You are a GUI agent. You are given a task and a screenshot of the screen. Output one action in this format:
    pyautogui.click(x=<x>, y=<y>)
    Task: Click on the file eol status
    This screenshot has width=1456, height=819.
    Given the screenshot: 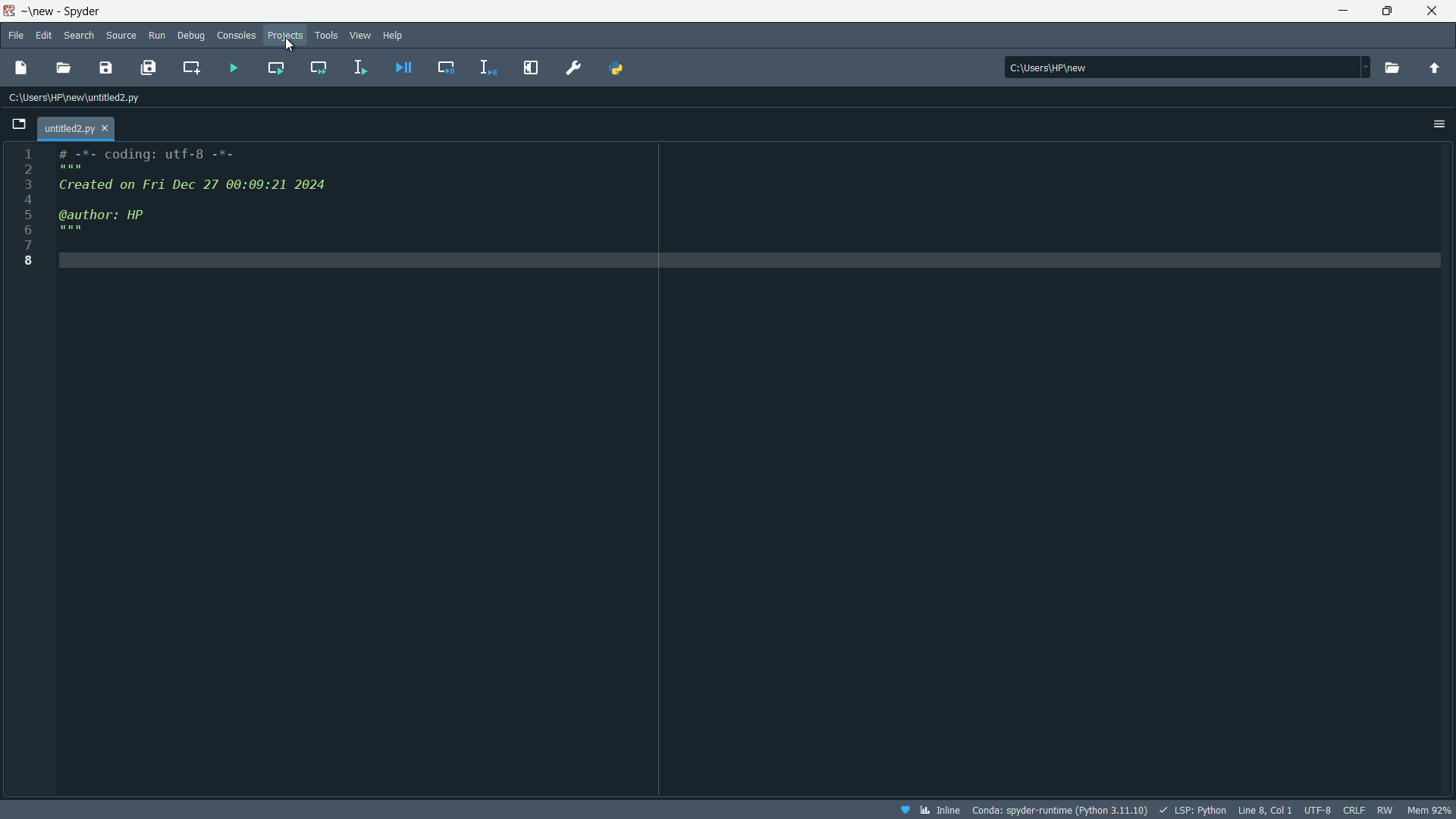 What is the action you would take?
    pyautogui.click(x=1354, y=808)
    